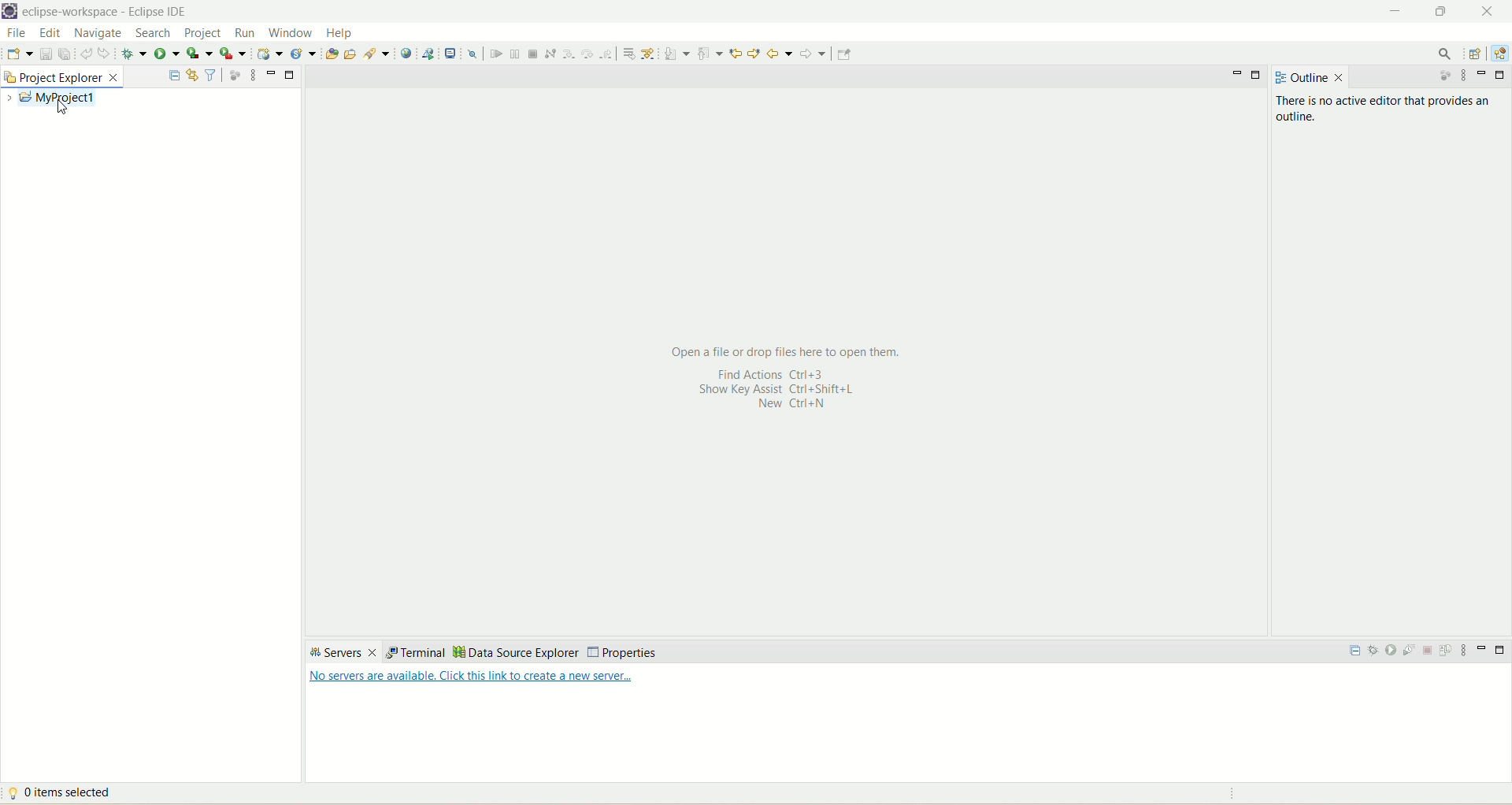  I want to click on collapse all, so click(1355, 655).